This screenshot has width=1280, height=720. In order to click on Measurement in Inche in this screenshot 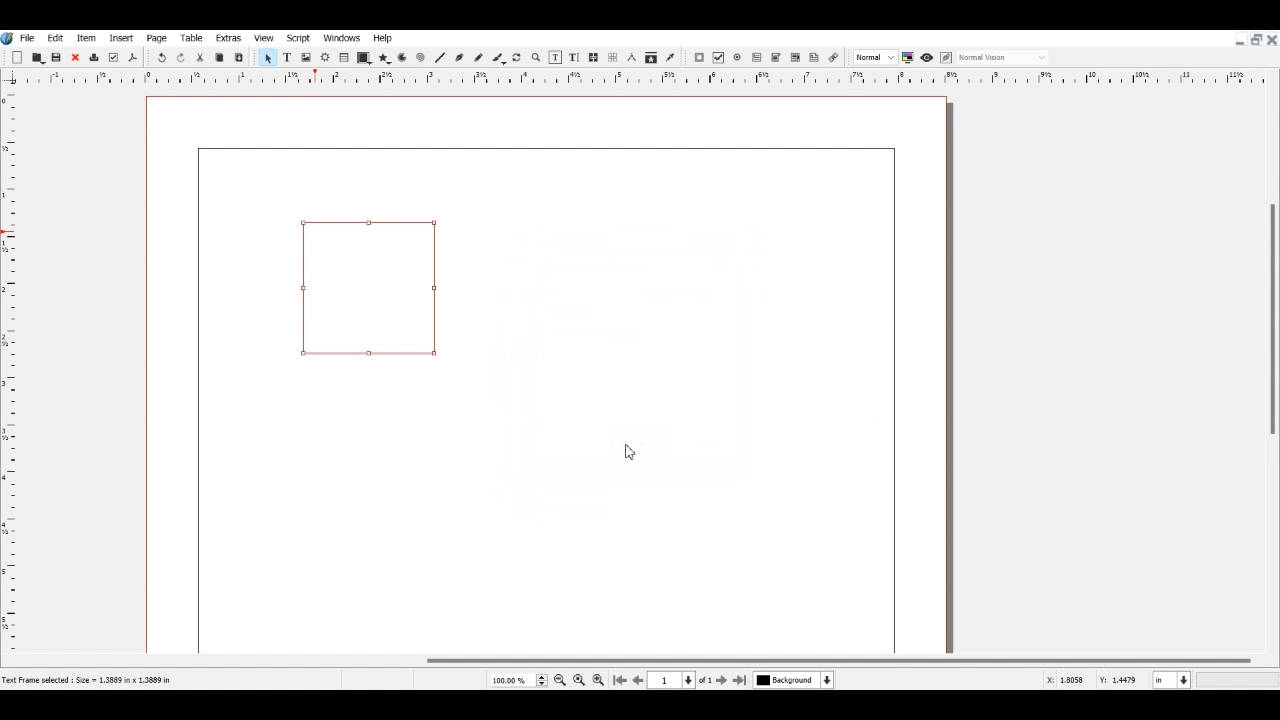, I will do `click(1172, 680)`.